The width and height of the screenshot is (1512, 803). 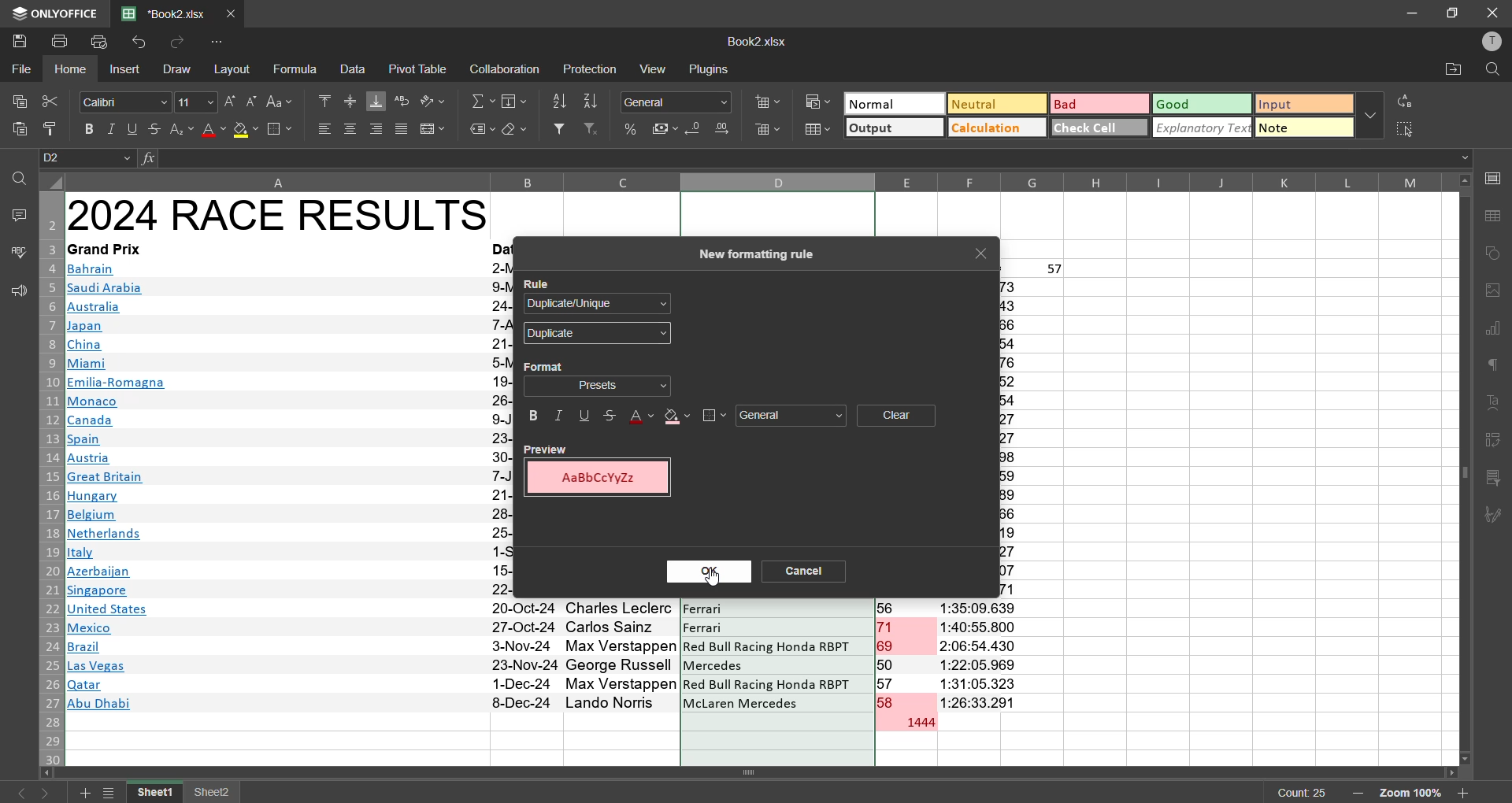 What do you see at coordinates (681, 102) in the screenshot?
I see `number format` at bounding box center [681, 102].